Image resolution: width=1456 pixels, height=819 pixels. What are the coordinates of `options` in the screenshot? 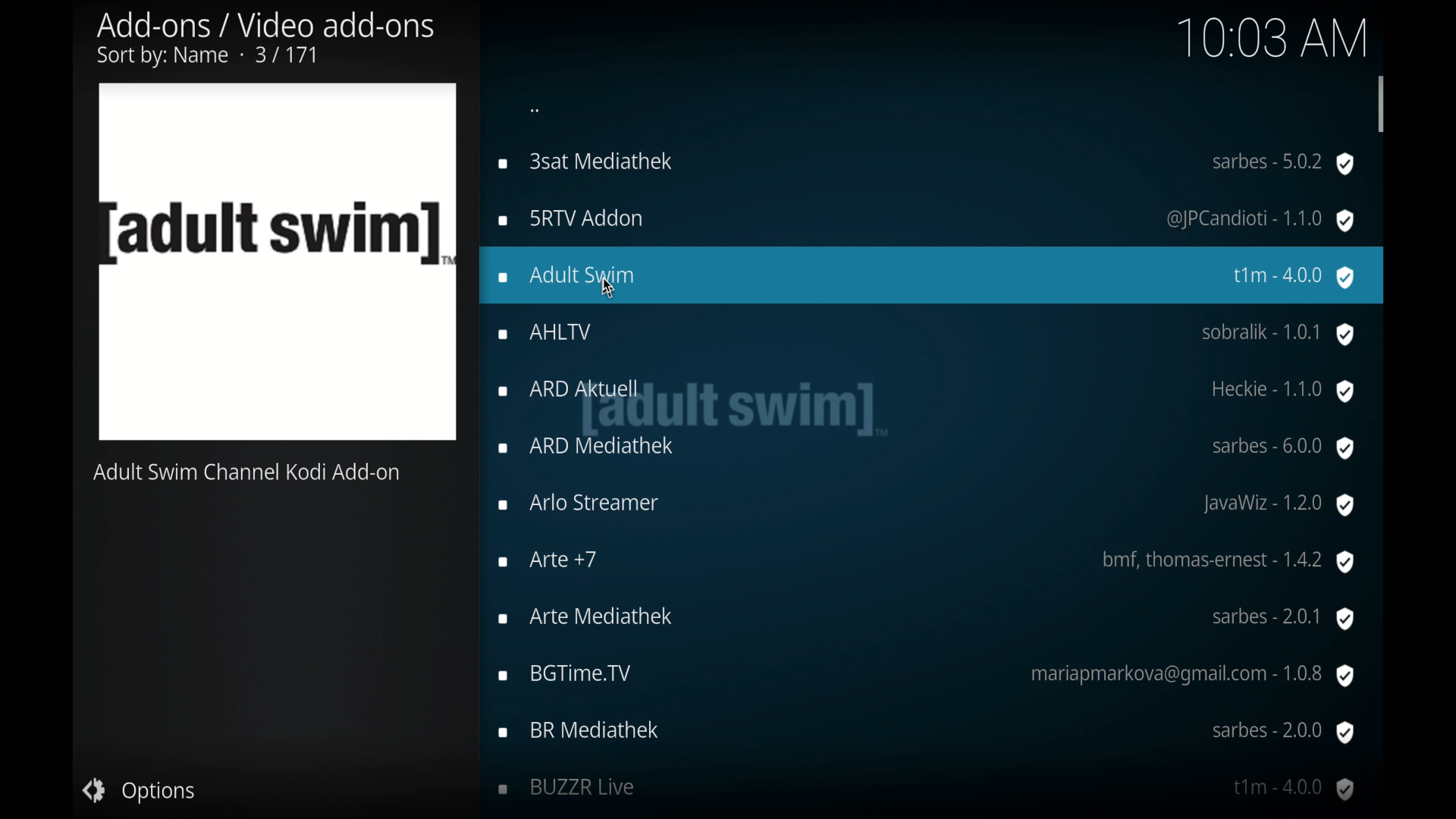 It's located at (136, 790).